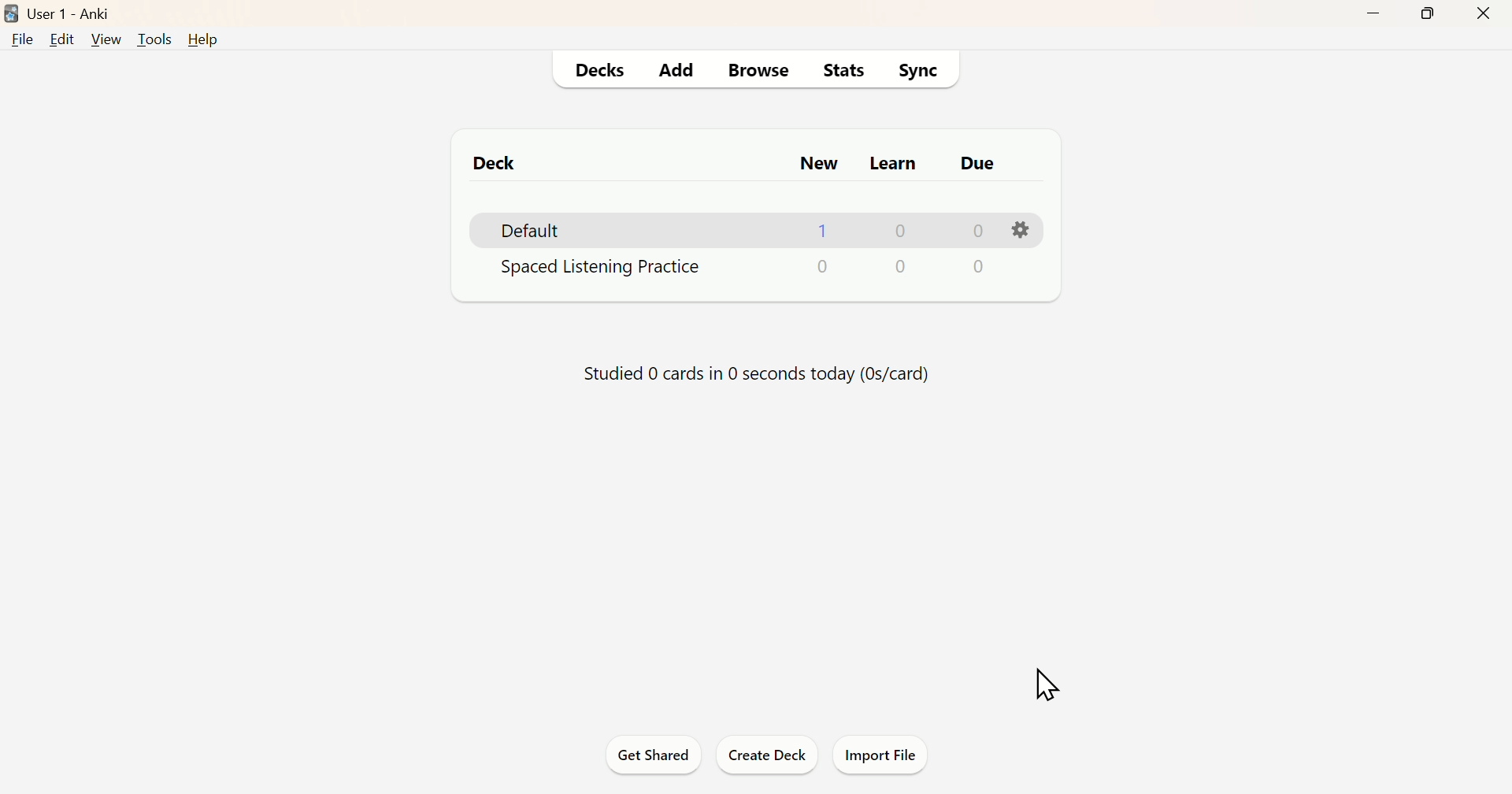 This screenshot has height=794, width=1512. Describe the element at coordinates (598, 69) in the screenshot. I see `Decks` at that location.